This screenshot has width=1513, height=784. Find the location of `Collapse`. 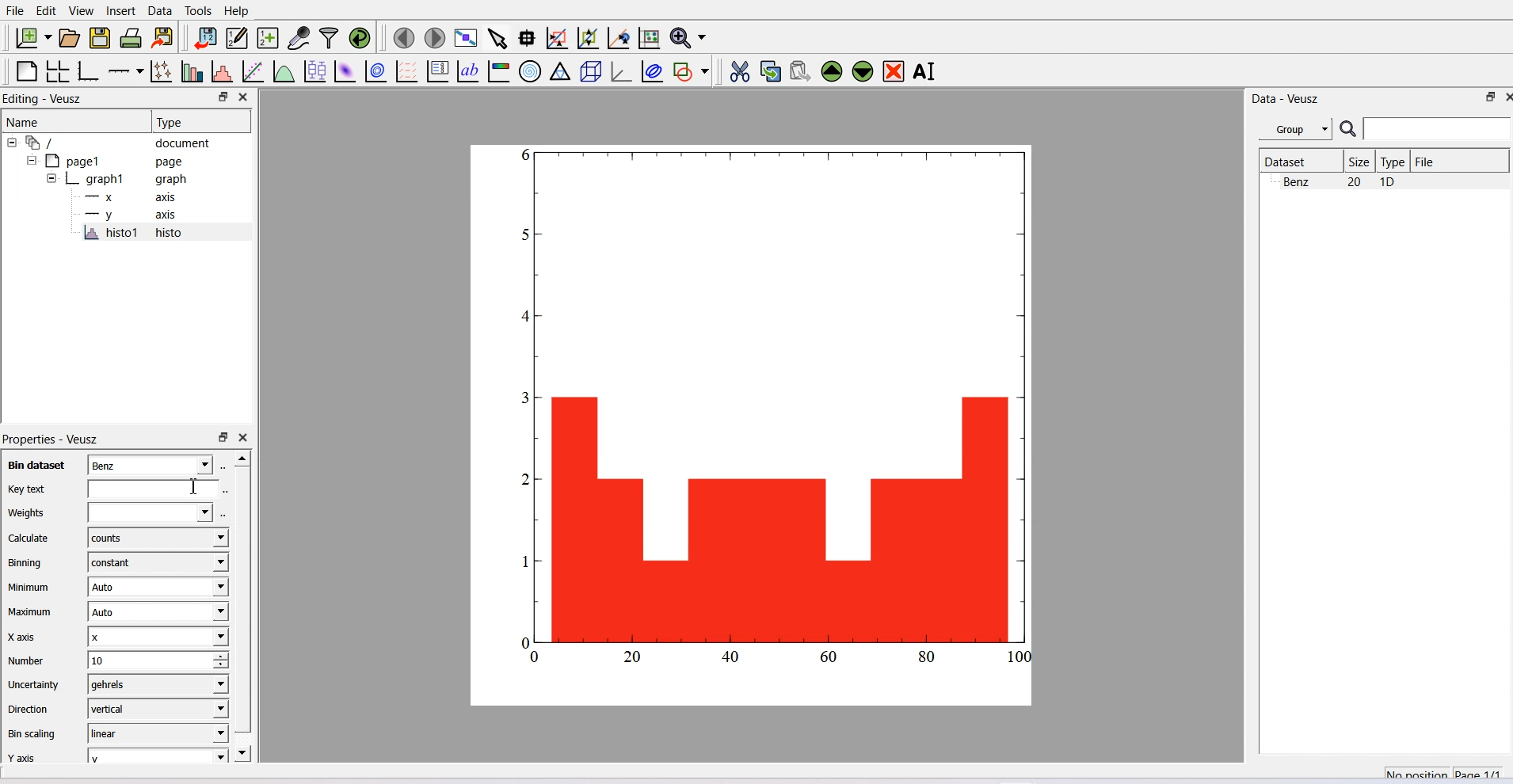

Collapse is located at coordinates (48, 178).